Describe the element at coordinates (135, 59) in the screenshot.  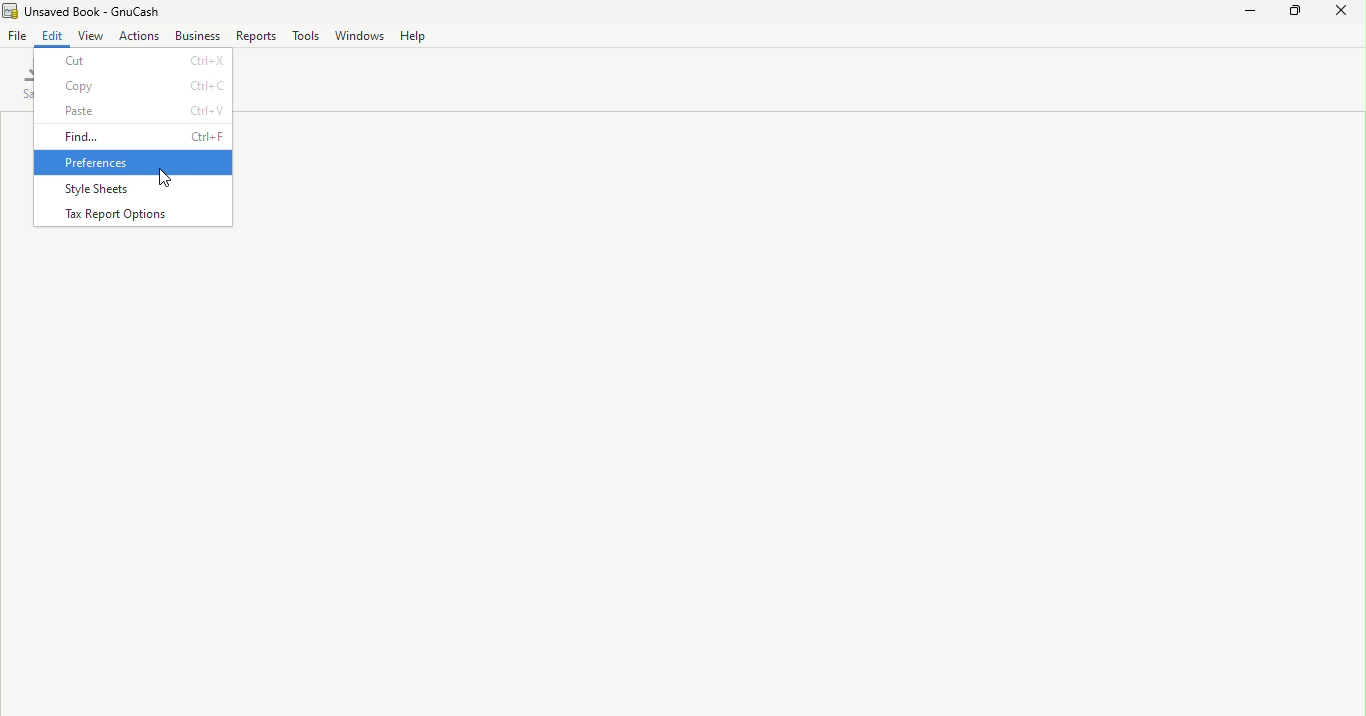
I see `Cut ` at that location.